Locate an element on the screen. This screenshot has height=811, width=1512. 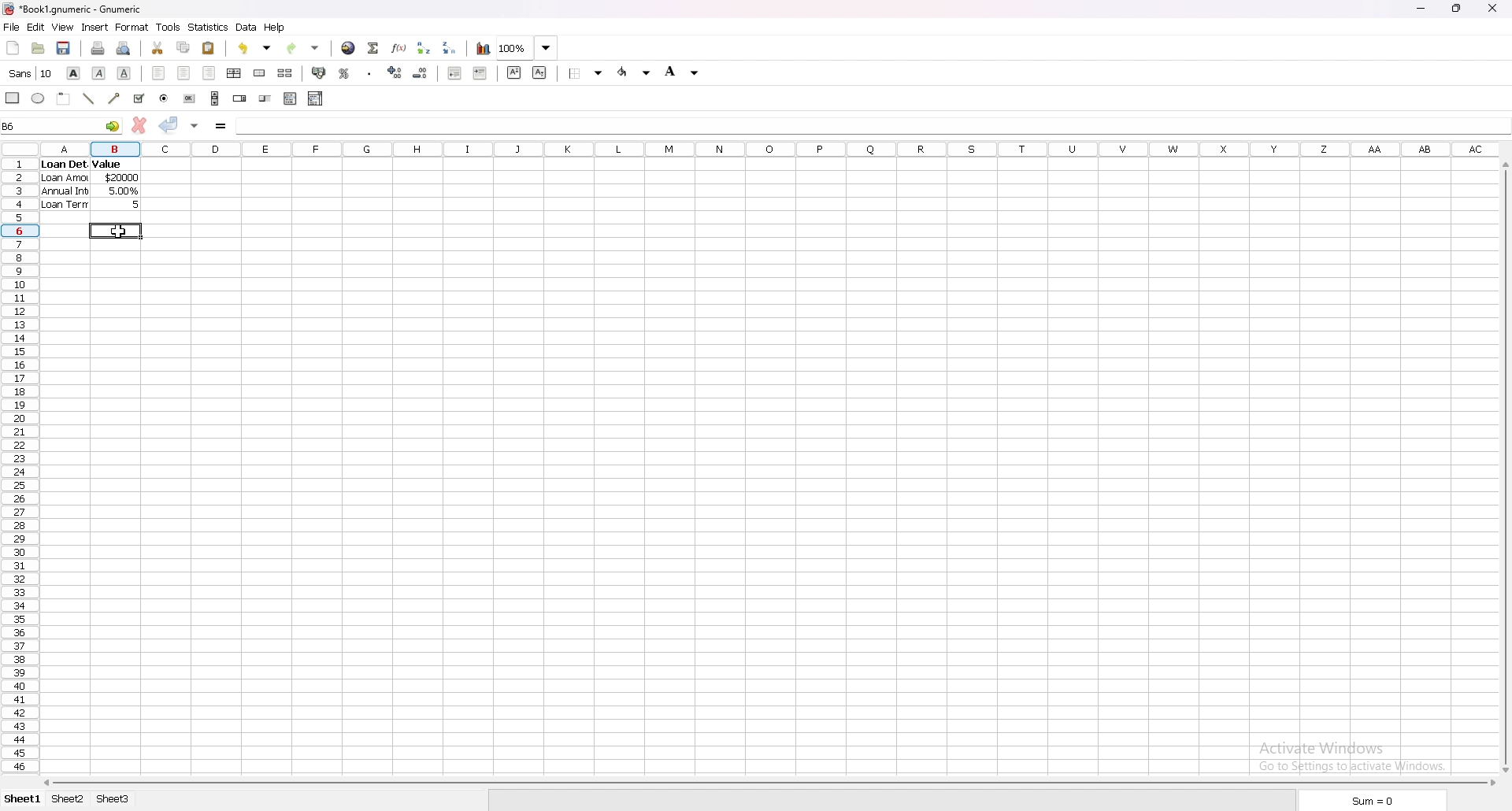
decrease decimals is located at coordinates (421, 73).